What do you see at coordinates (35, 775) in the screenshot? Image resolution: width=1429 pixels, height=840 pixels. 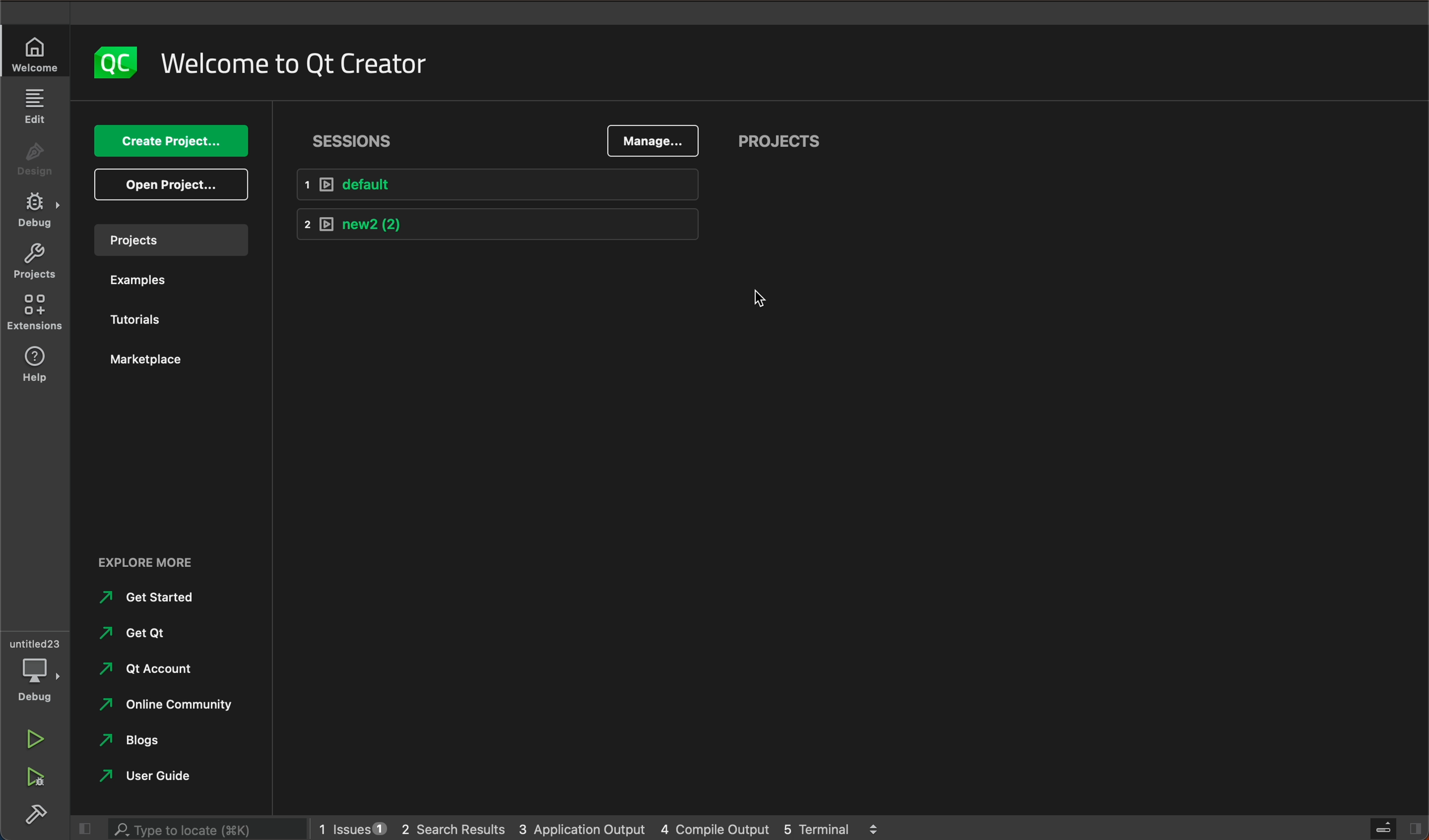 I see `run debug` at bounding box center [35, 775].